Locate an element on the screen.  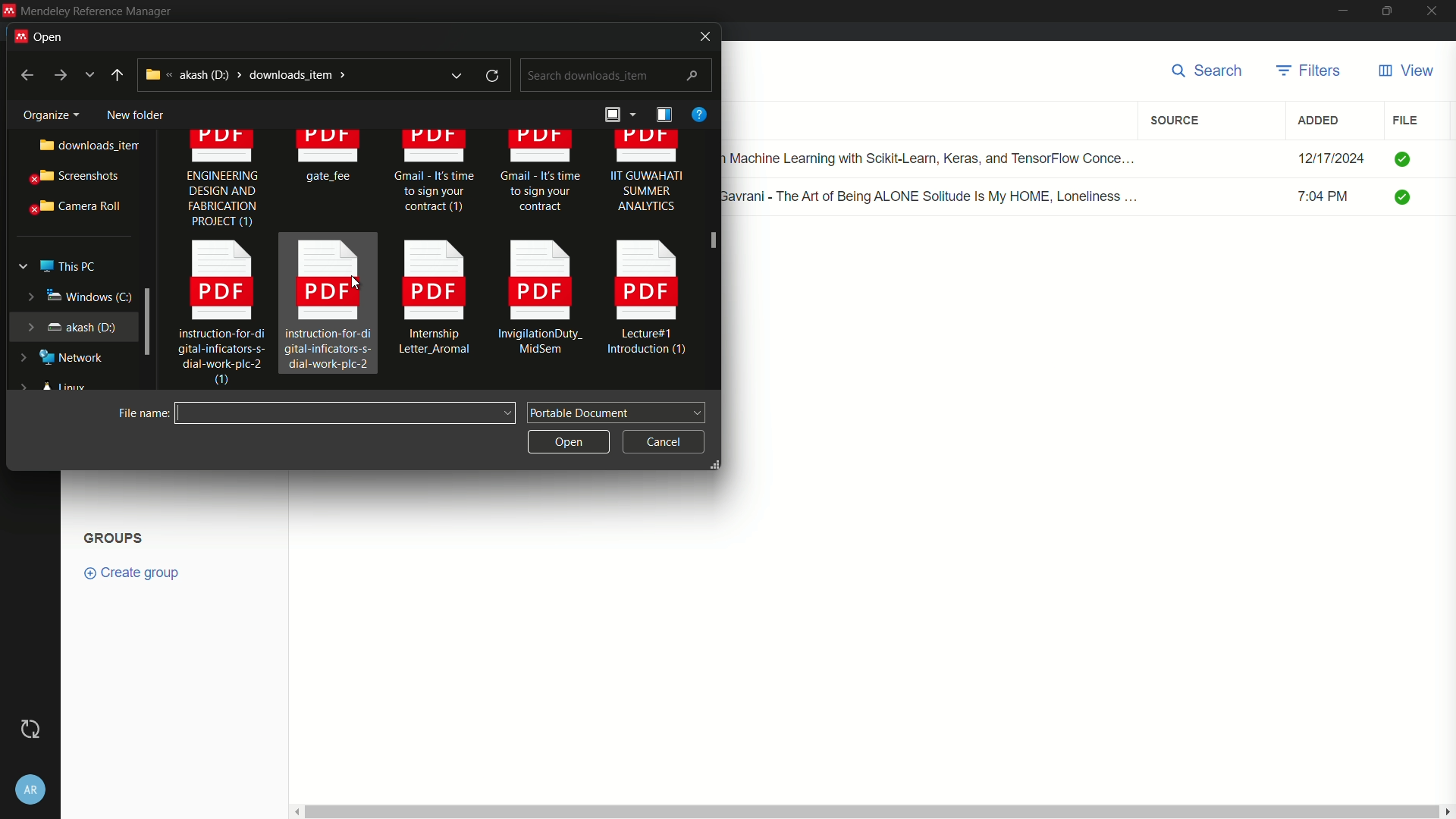
details is located at coordinates (664, 115).